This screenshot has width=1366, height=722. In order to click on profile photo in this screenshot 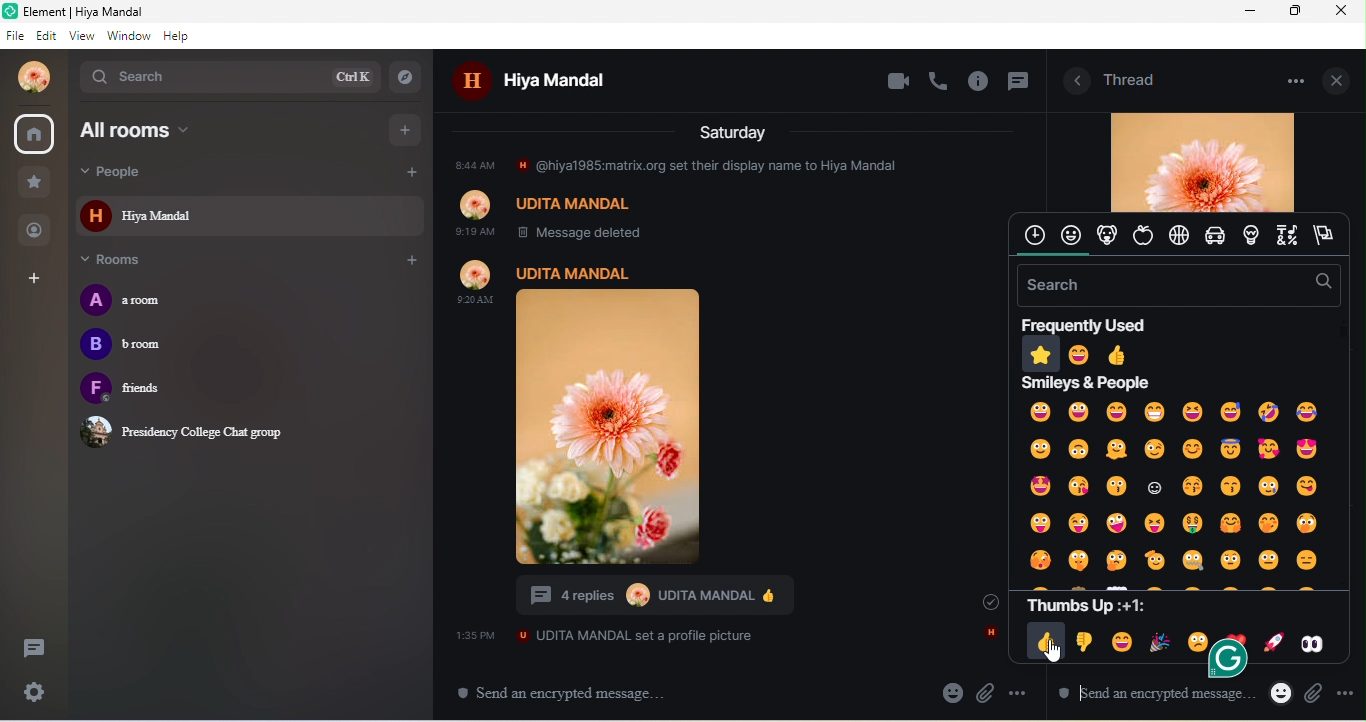, I will do `click(1201, 161)`.